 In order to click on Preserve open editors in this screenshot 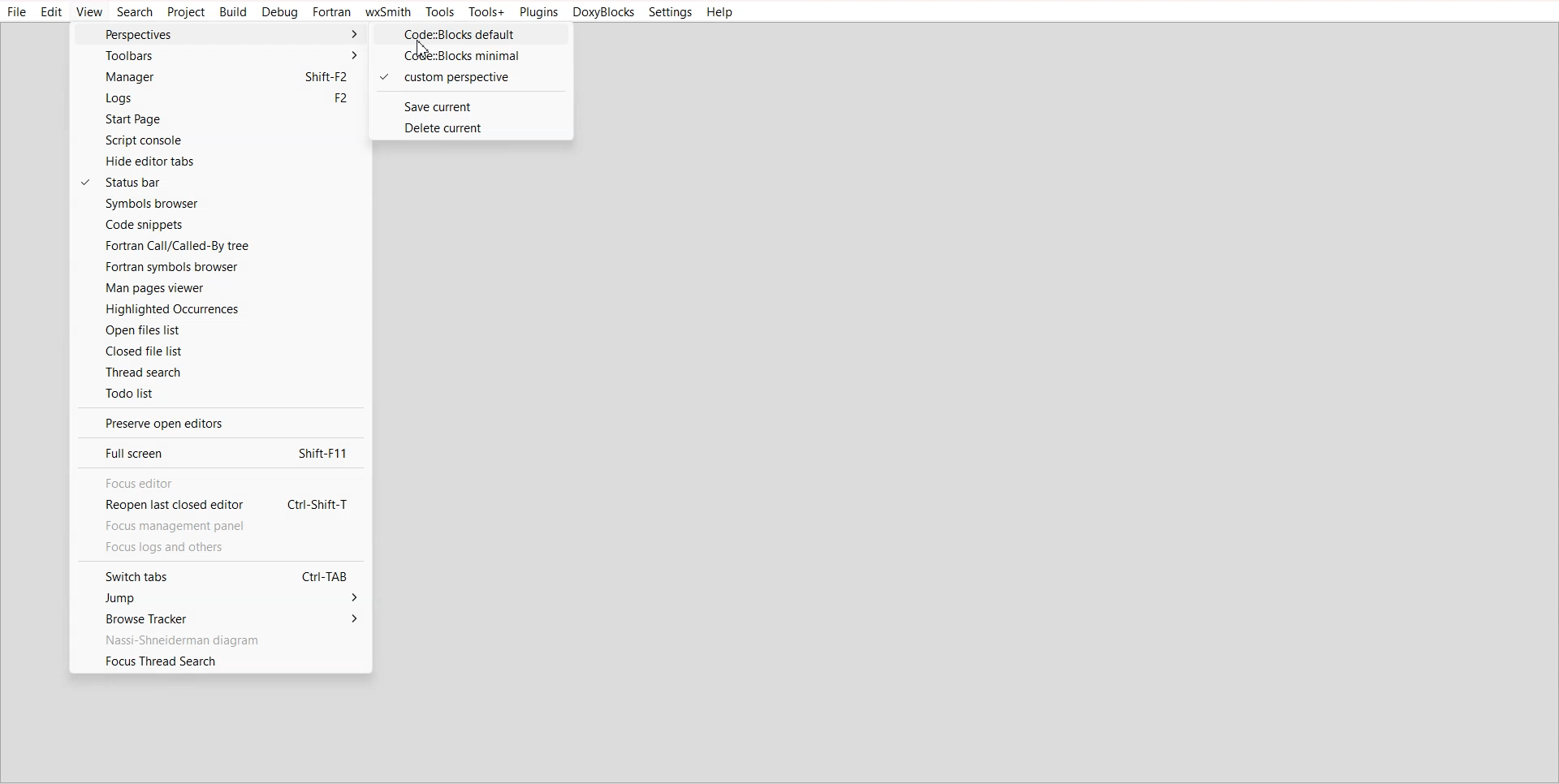, I will do `click(217, 423)`.